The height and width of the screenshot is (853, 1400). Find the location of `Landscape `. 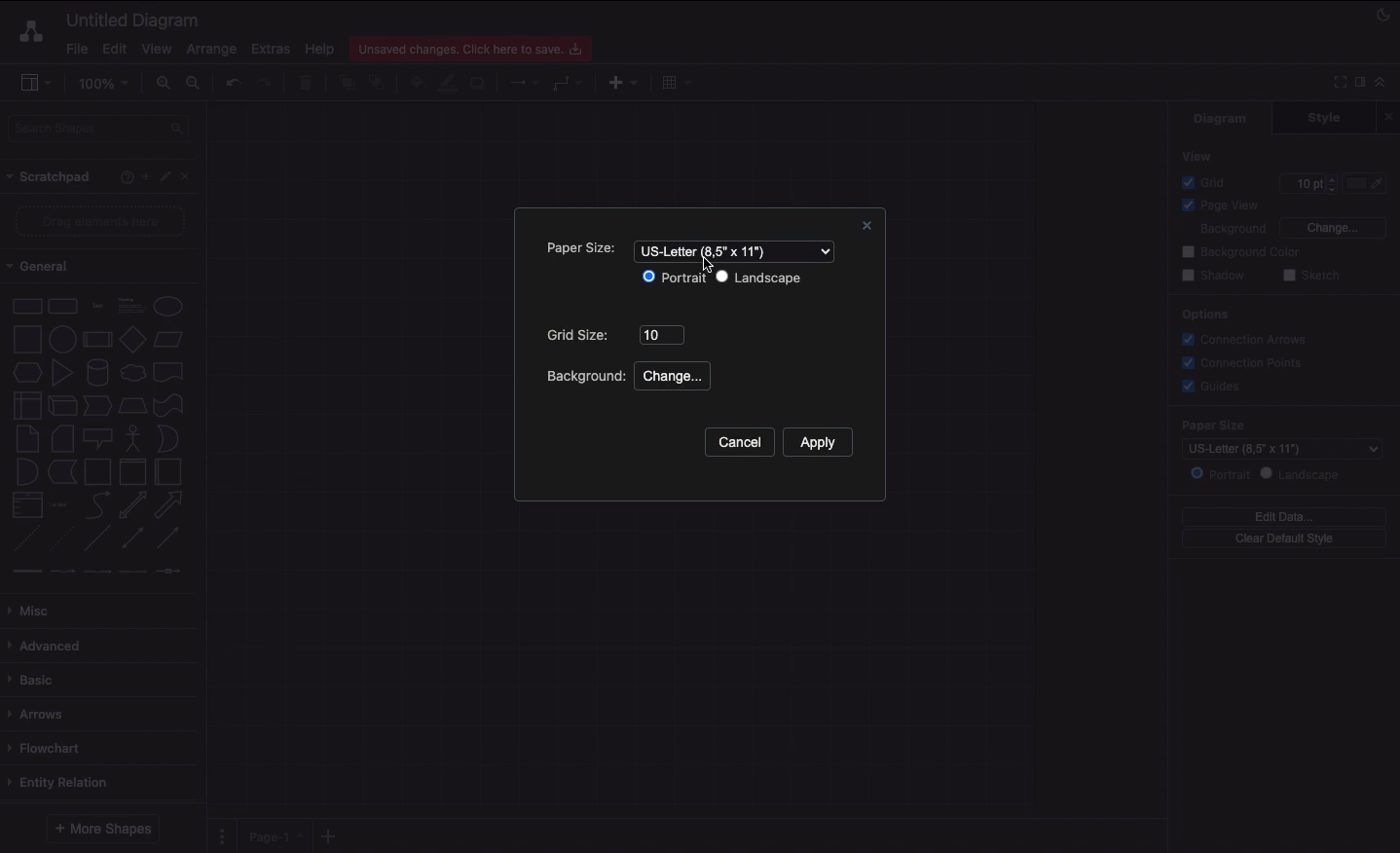

Landscape  is located at coordinates (1304, 474).